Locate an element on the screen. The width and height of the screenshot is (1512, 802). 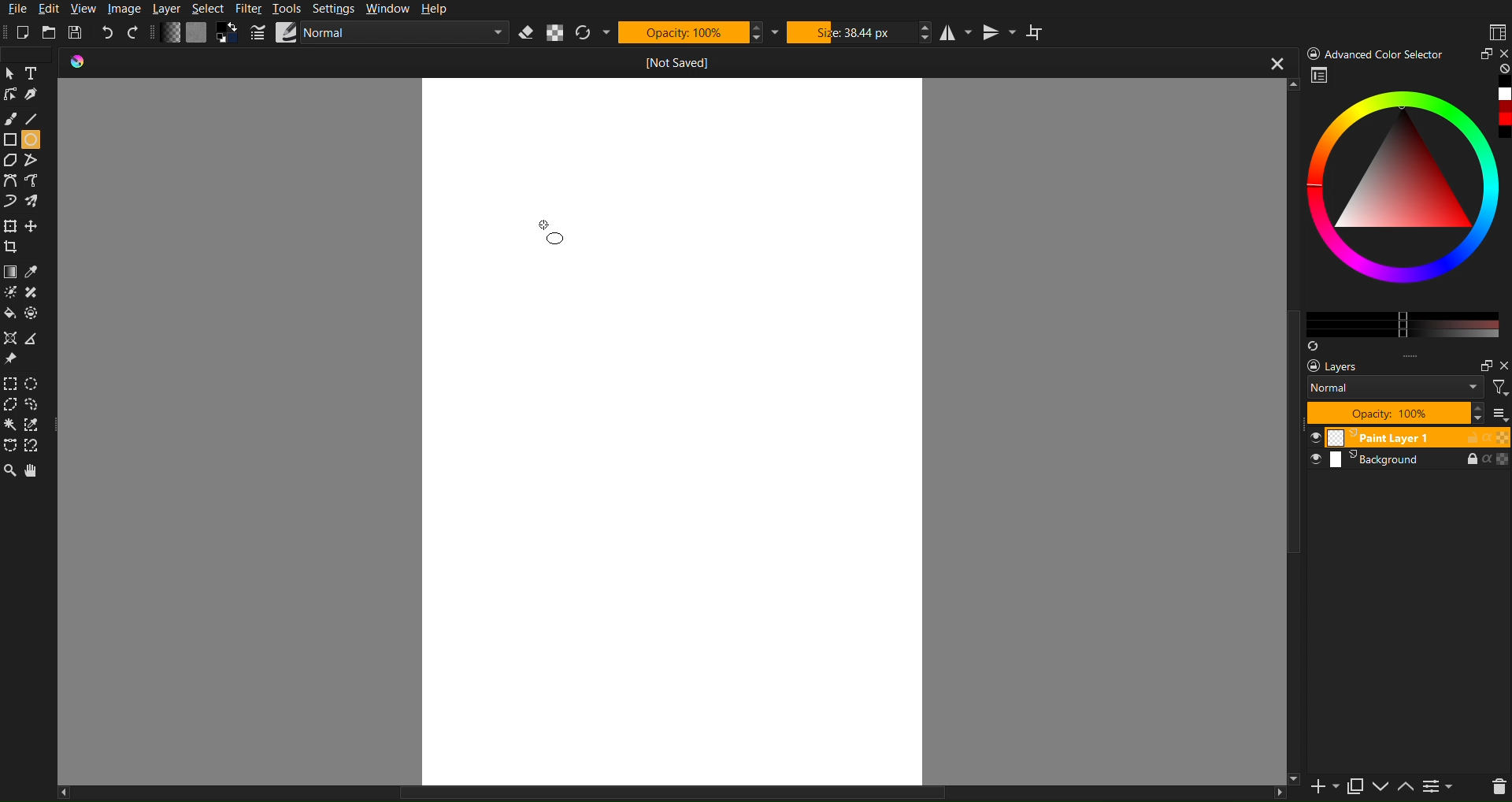
maximize is located at coordinates (1482, 366).